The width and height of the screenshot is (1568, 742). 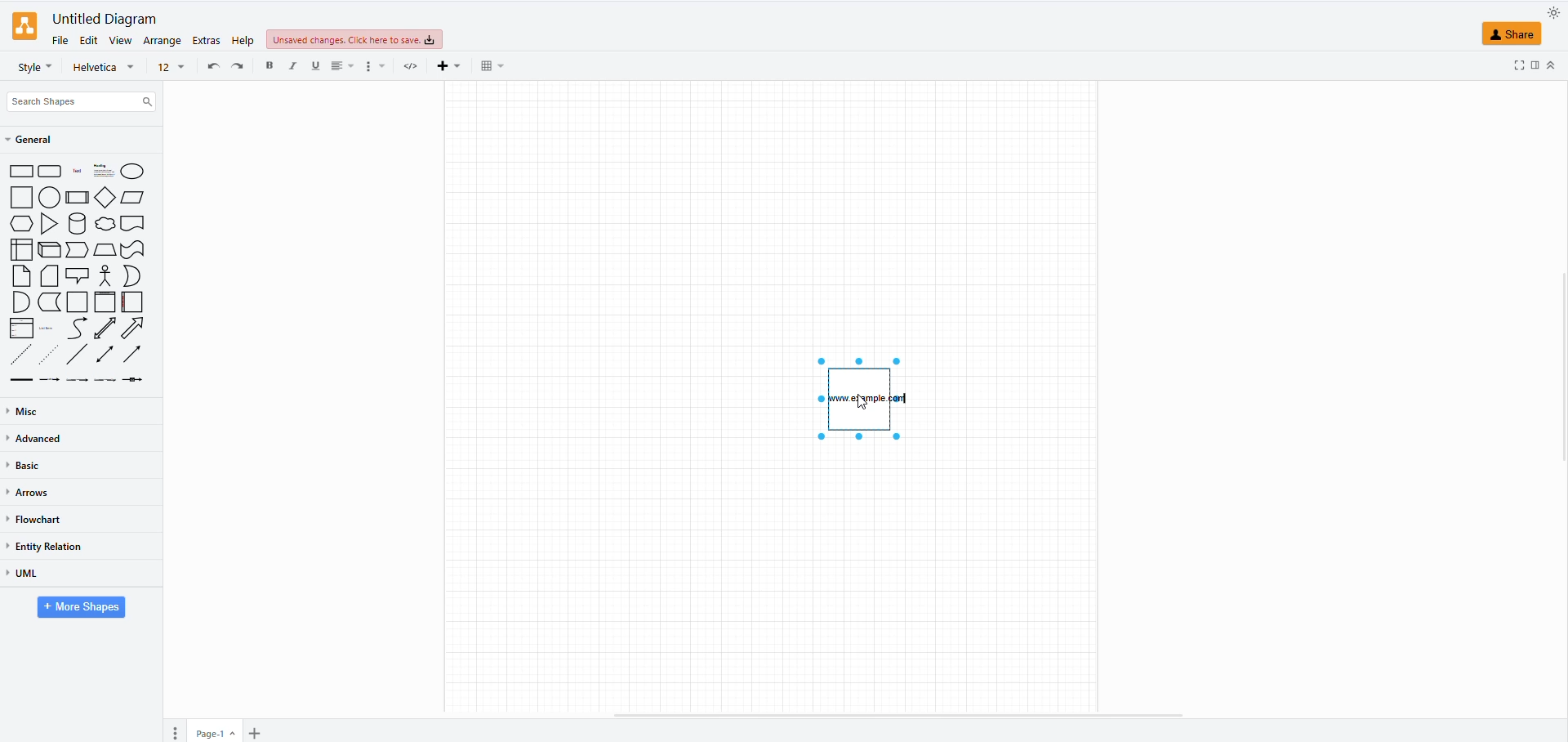 What do you see at coordinates (131, 302) in the screenshot?
I see `horizontal container` at bounding box center [131, 302].